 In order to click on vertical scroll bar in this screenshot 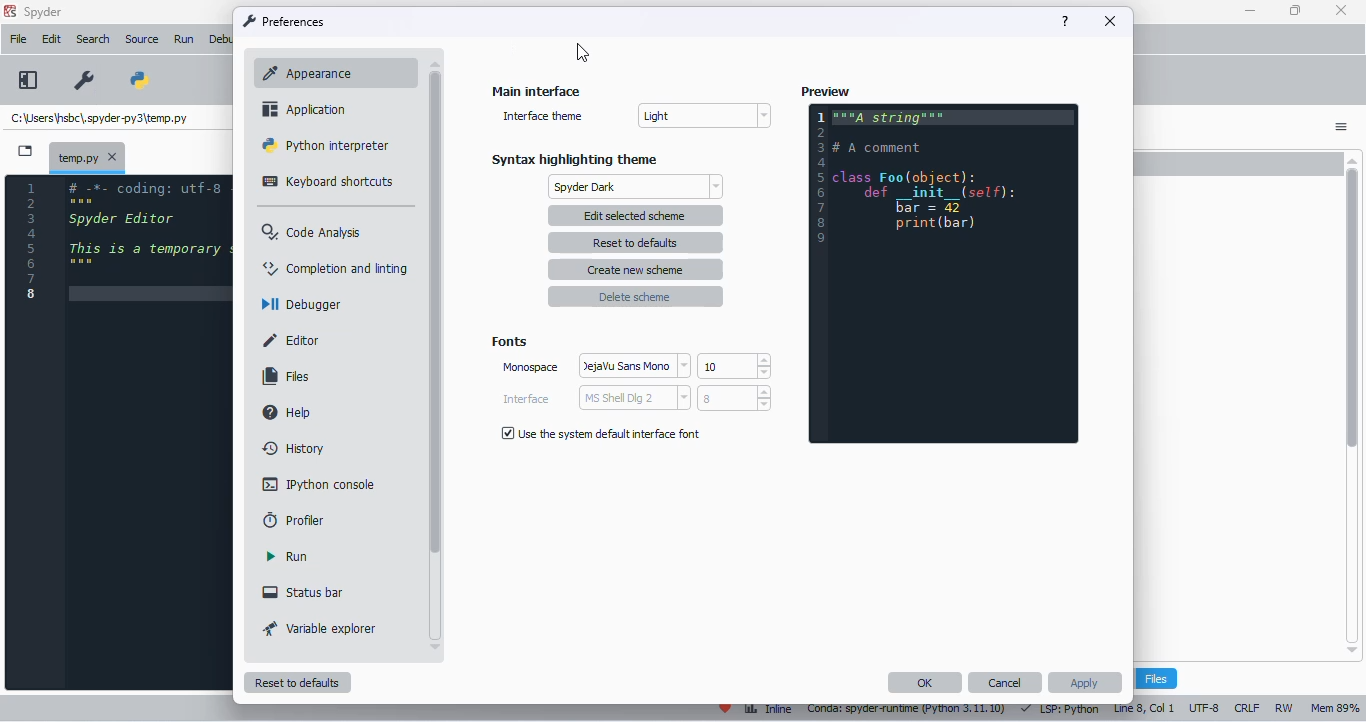, I will do `click(433, 307)`.